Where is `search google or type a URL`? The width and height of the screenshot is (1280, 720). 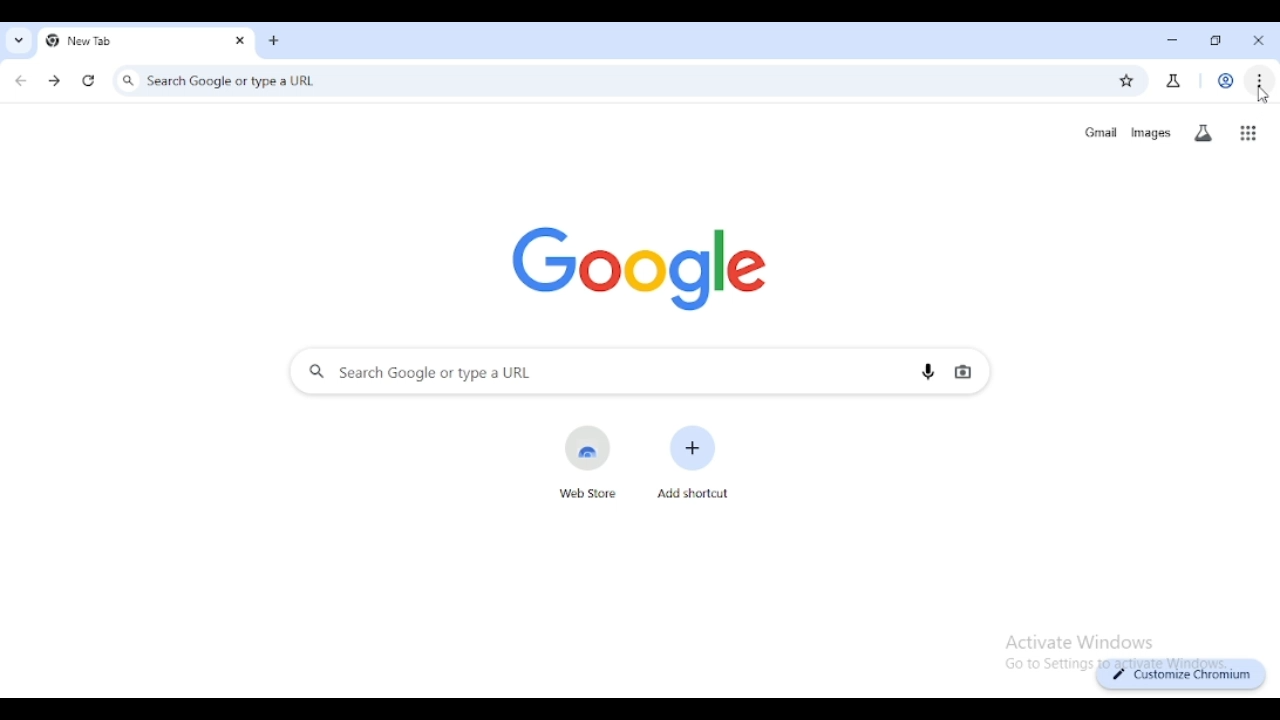
search google or type a URL is located at coordinates (591, 372).